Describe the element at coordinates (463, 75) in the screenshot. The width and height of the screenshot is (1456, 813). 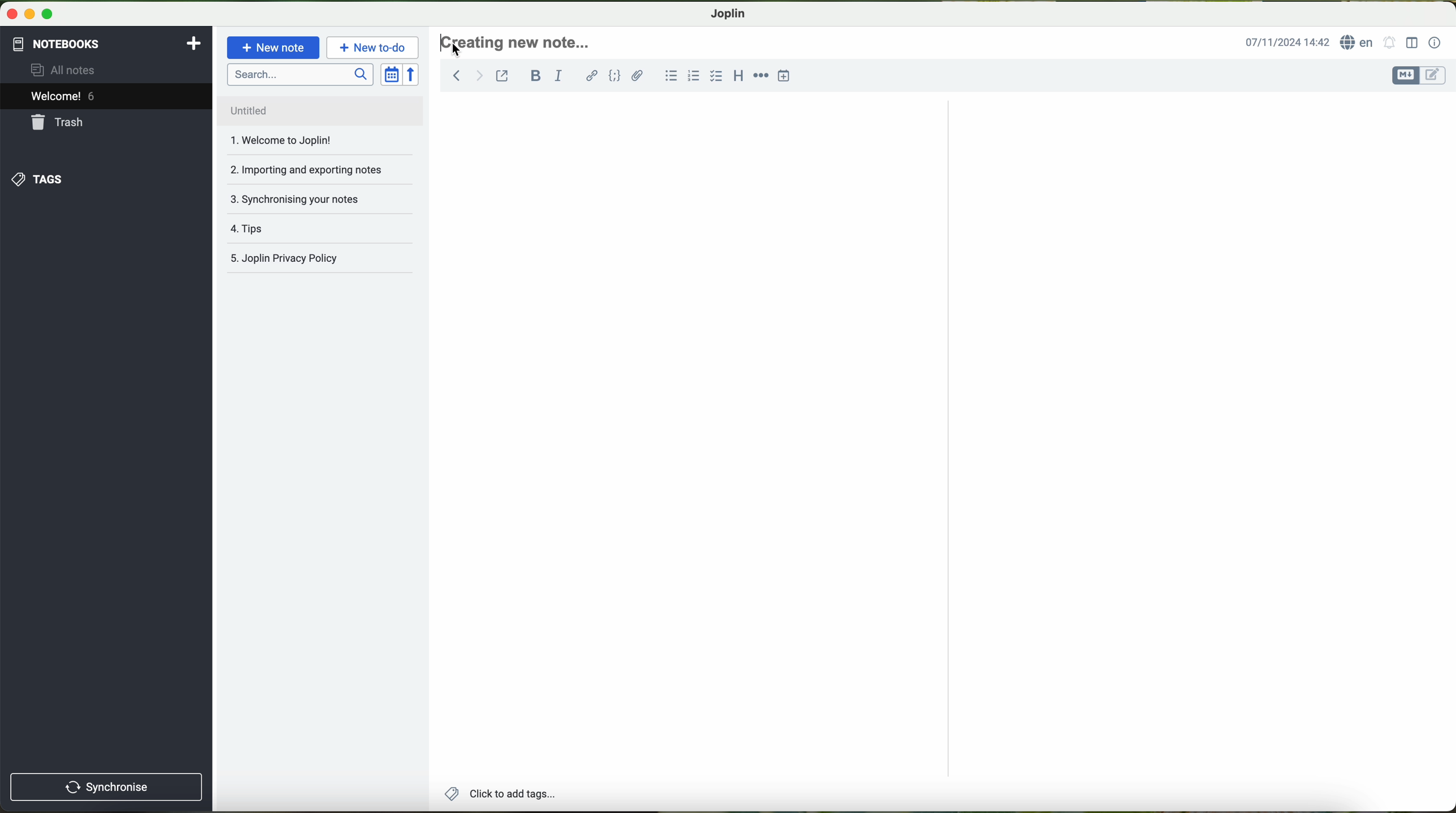
I see `navigation arrows` at that location.